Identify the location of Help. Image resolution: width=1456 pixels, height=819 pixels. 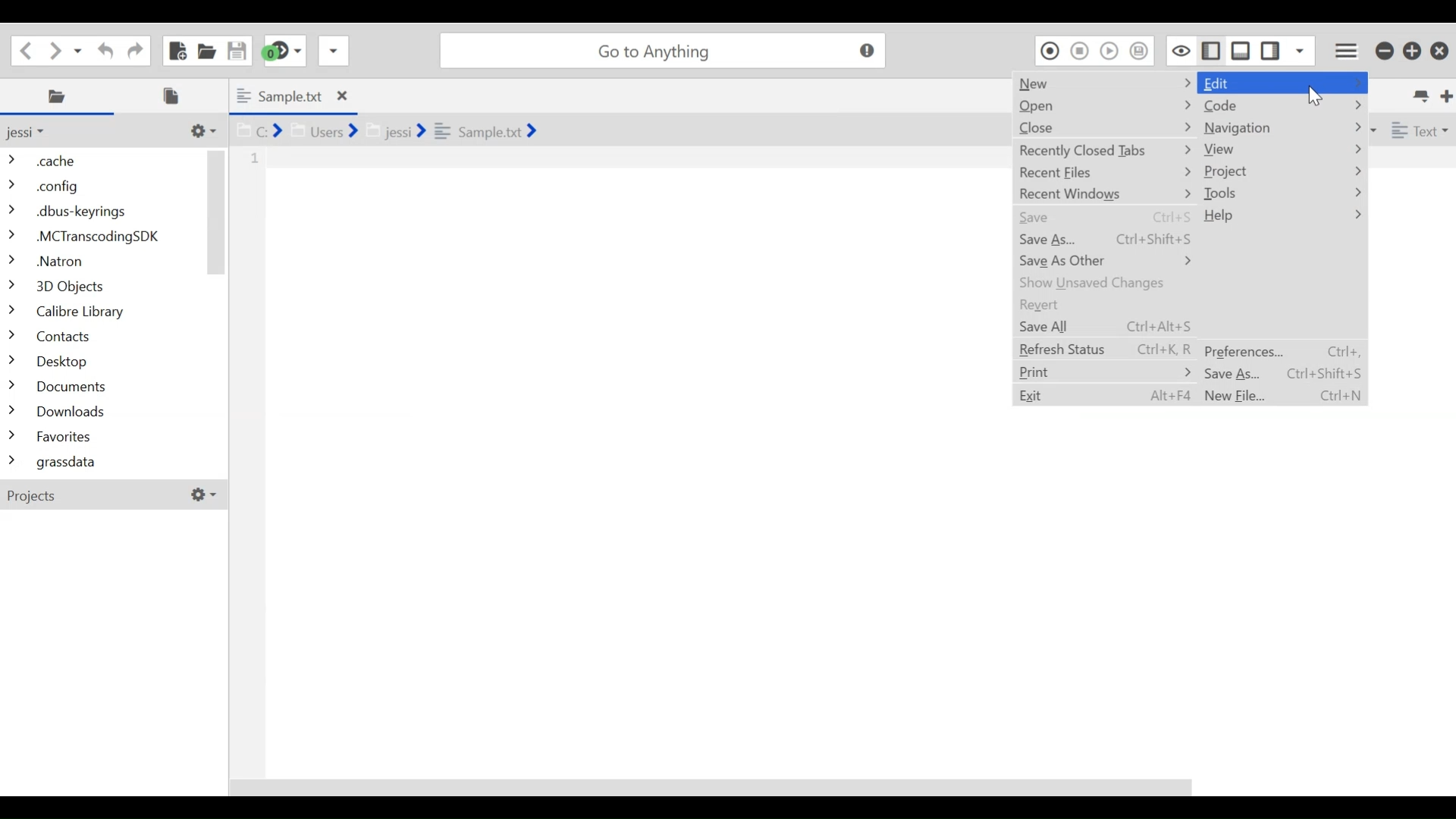
(1281, 217).